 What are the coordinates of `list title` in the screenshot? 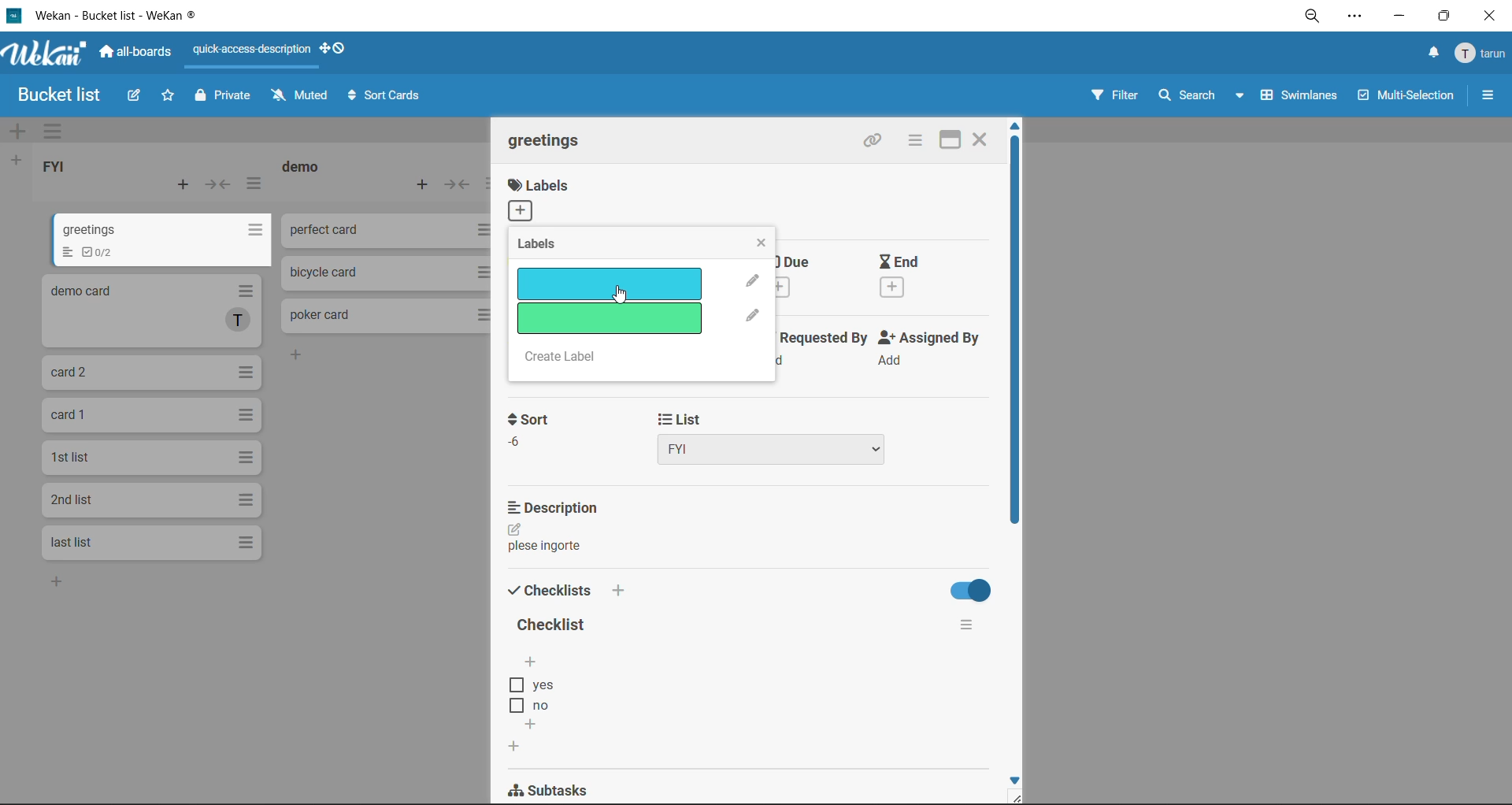 It's located at (303, 167).